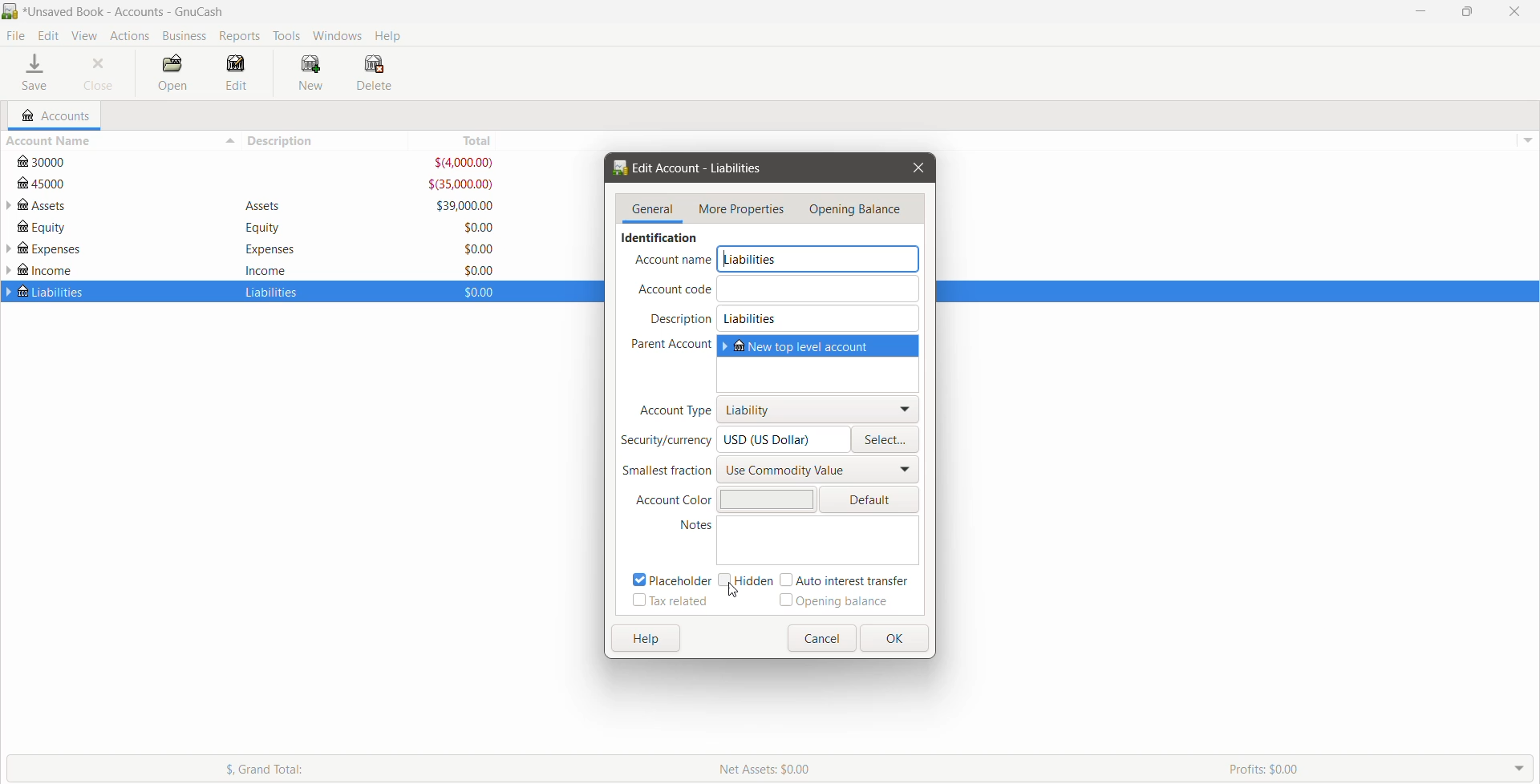  What do you see at coordinates (331, 140) in the screenshot?
I see `Description` at bounding box center [331, 140].